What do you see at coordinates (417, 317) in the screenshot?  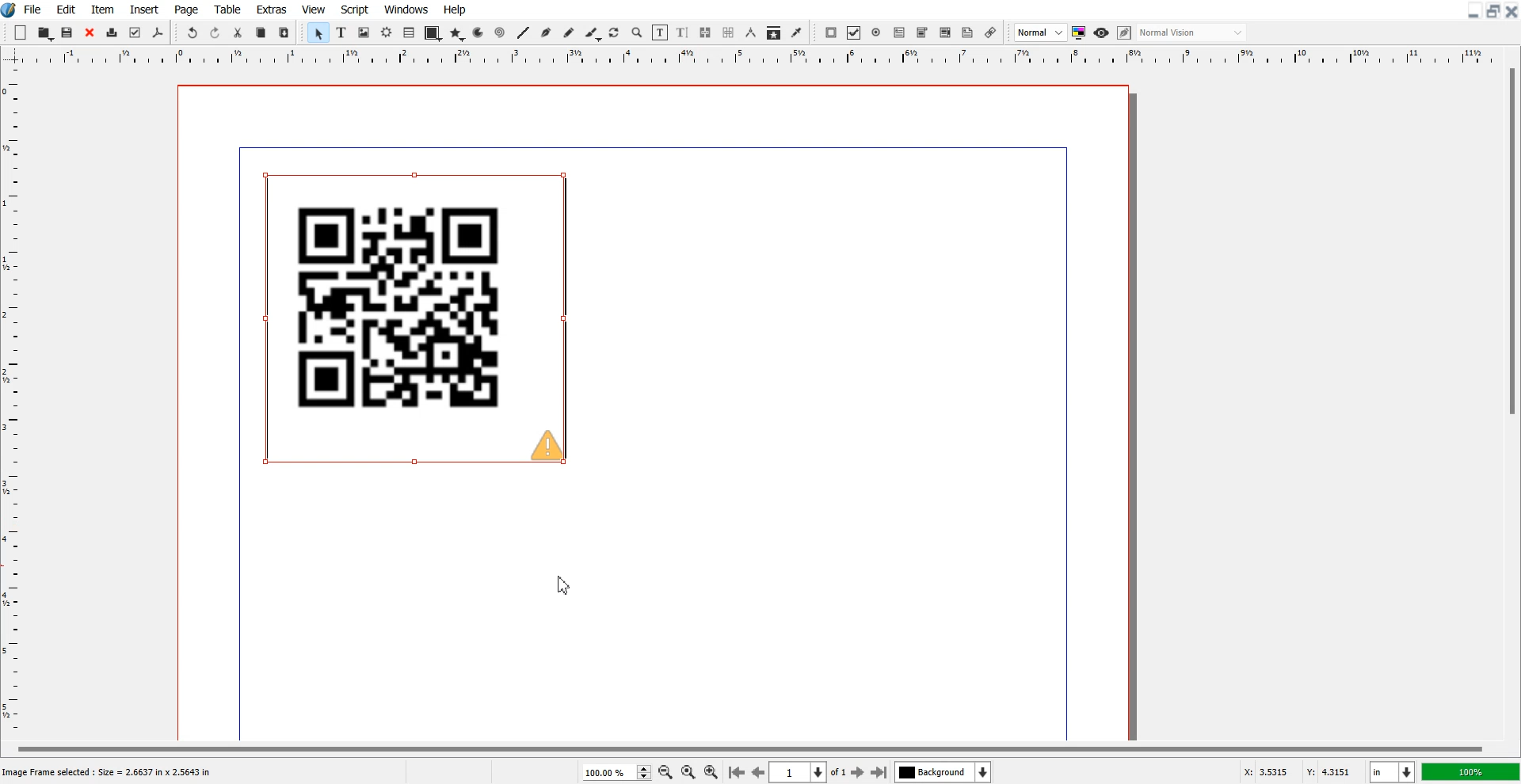 I see `QR Code Generated` at bounding box center [417, 317].